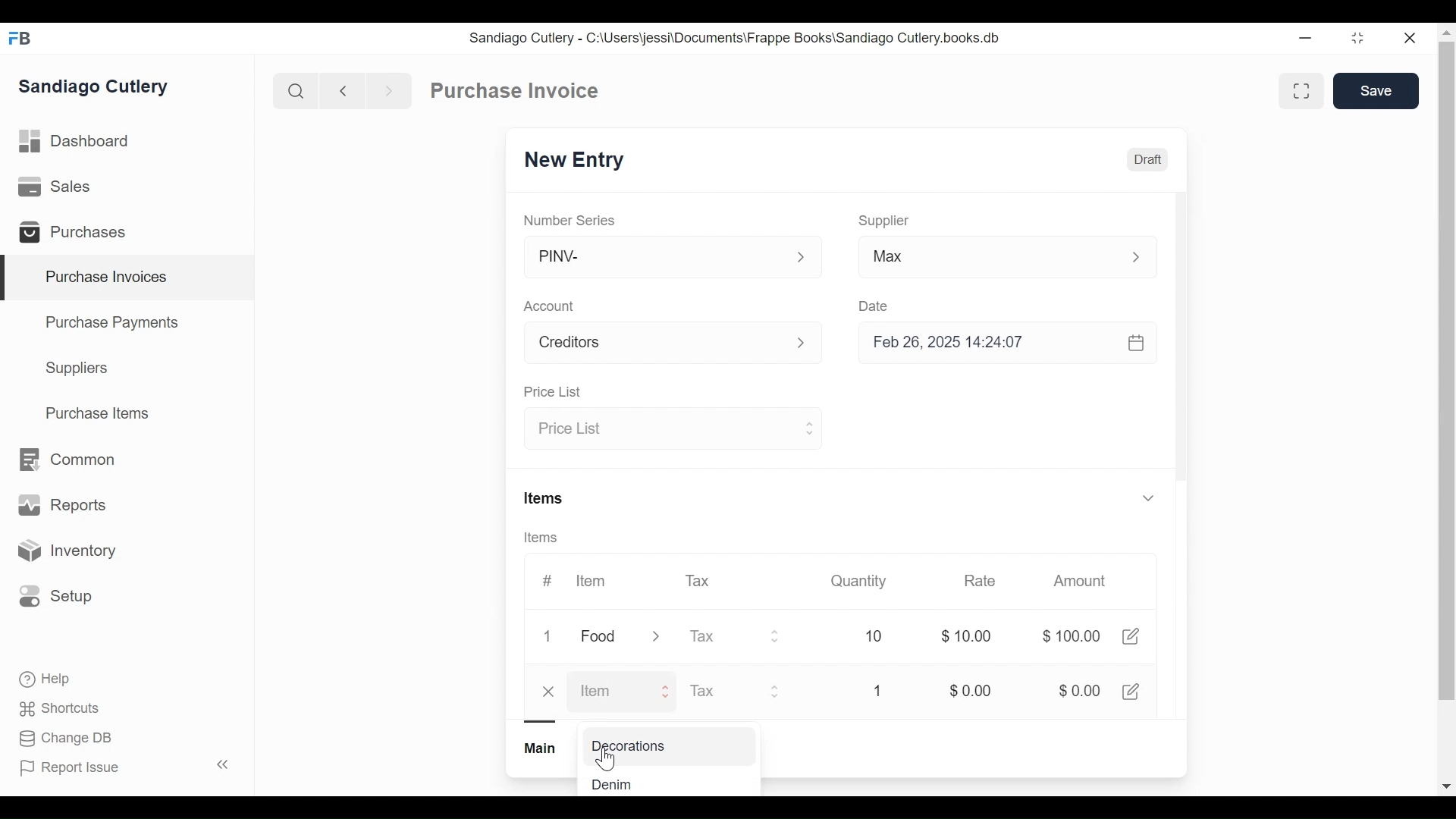 This screenshot has height=819, width=1456. Describe the element at coordinates (1304, 39) in the screenshot. I see `Minimize` at that location.